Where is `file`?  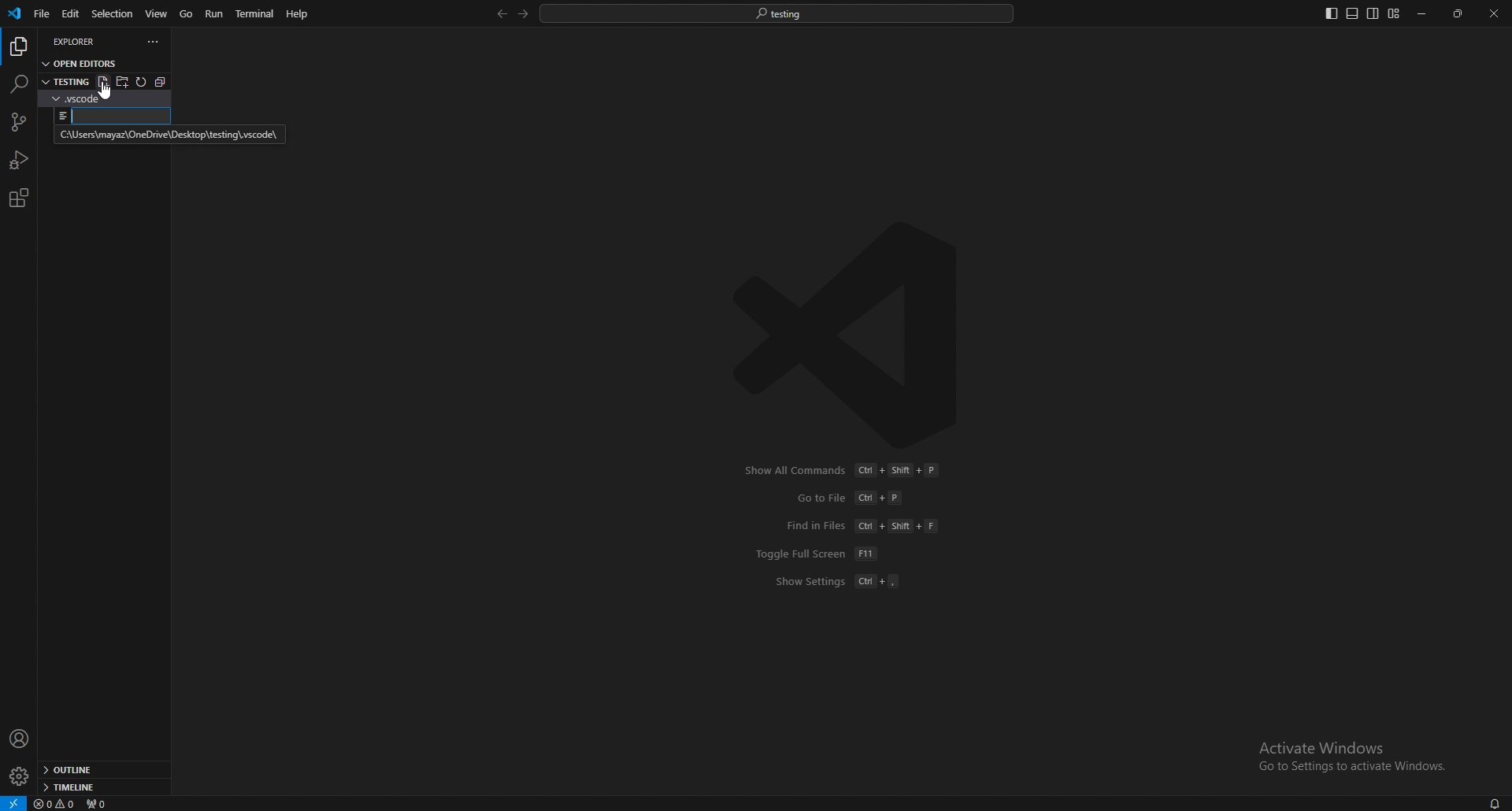 file is located at coordinates (40, 14).